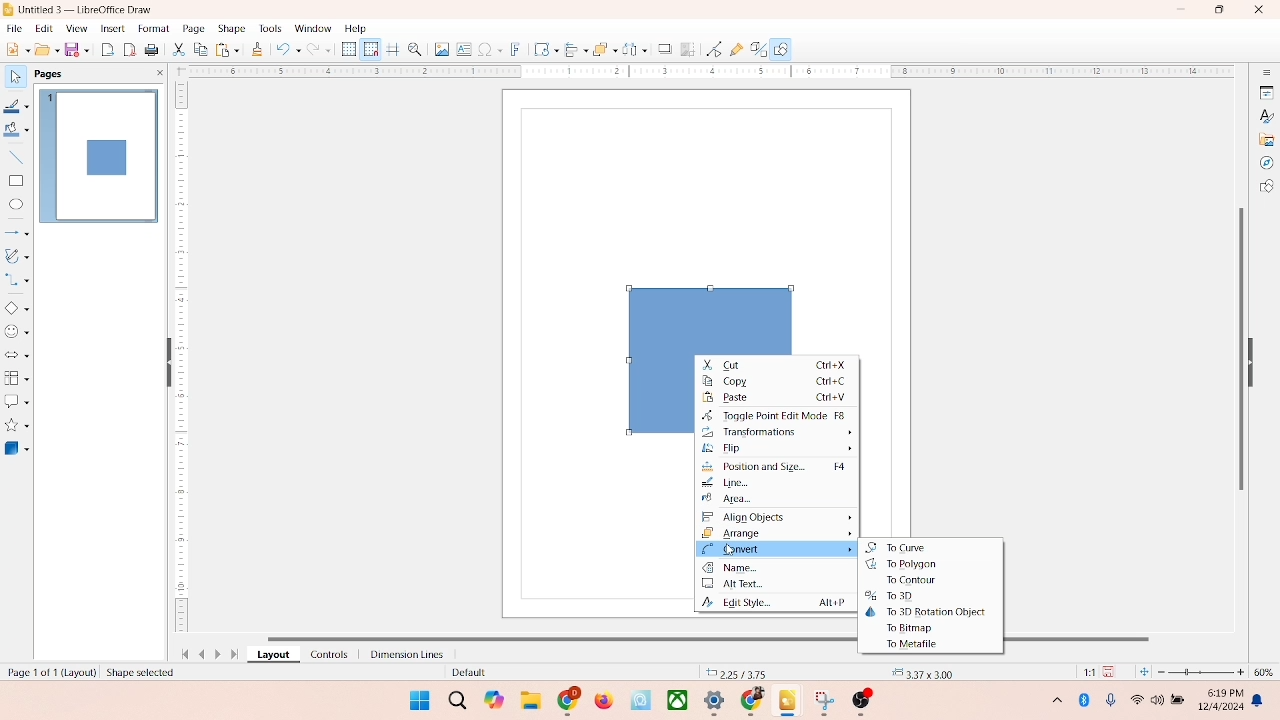 This screenshot has height=720, width=1280. Describe the element at coordinates (17, 232) in the screenshot. I see `lines and arrows` at that location.